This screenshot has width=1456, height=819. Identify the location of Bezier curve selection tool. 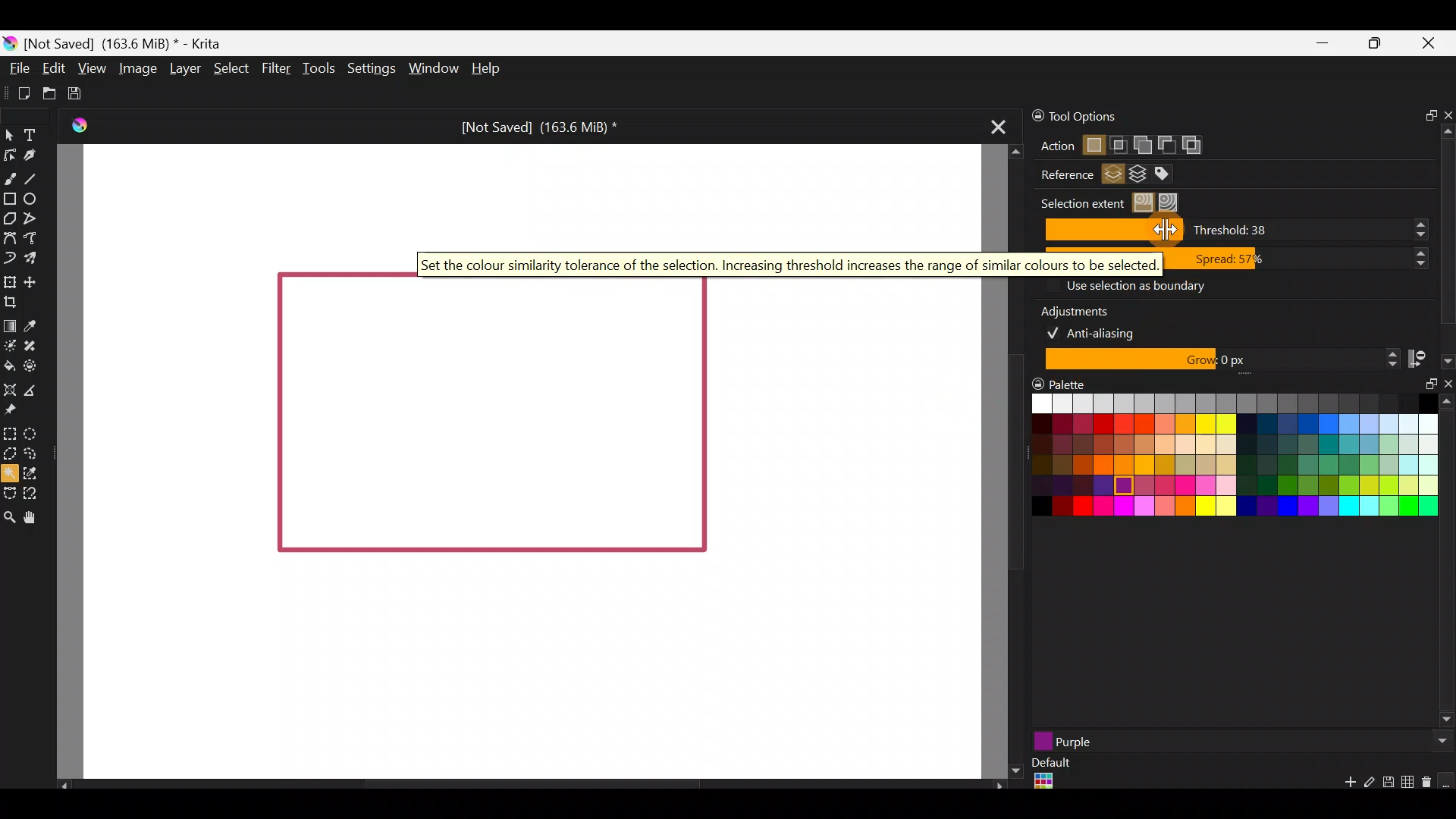
(9, 494).